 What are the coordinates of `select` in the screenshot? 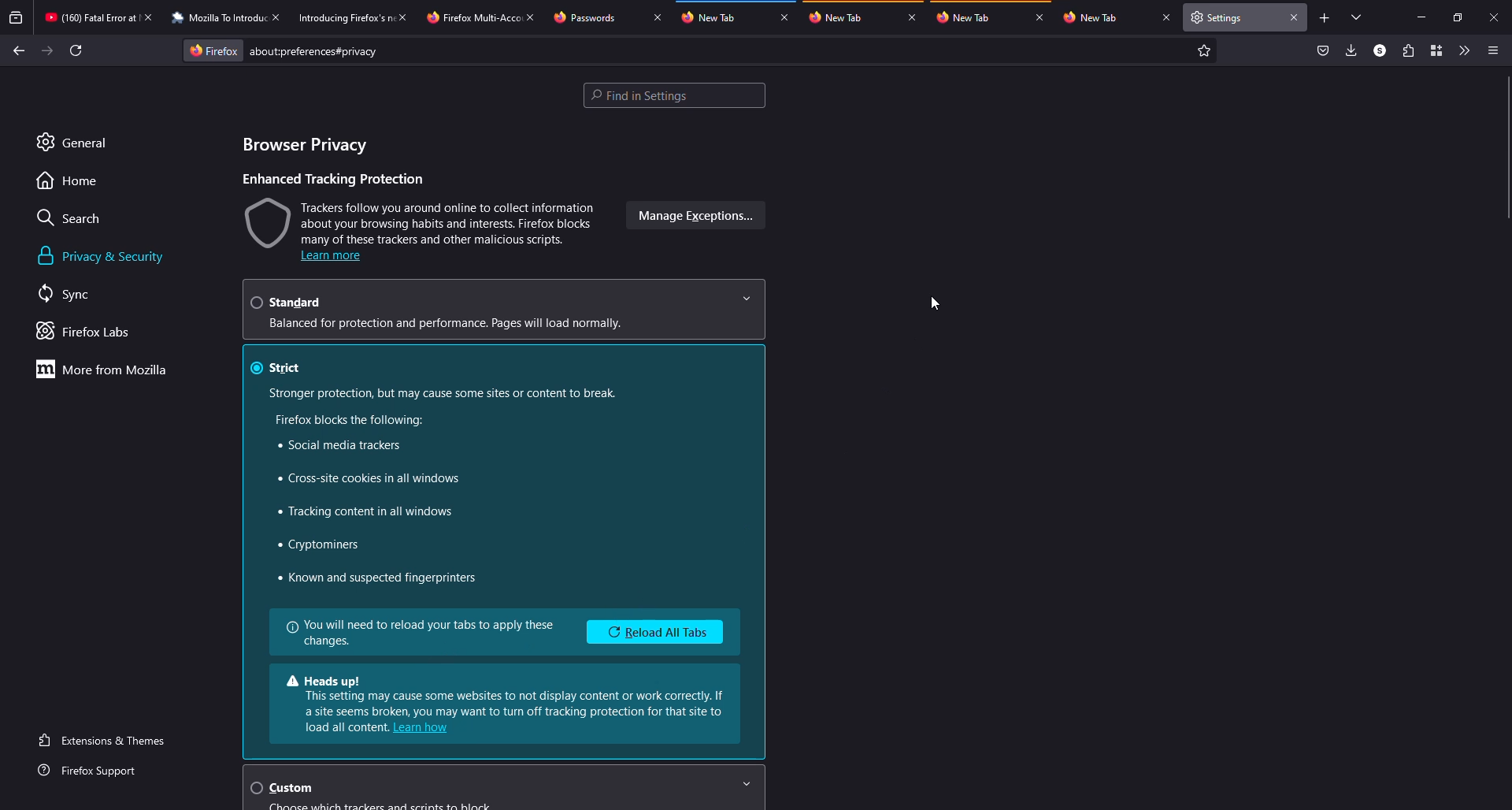 It's located at (256, 787).